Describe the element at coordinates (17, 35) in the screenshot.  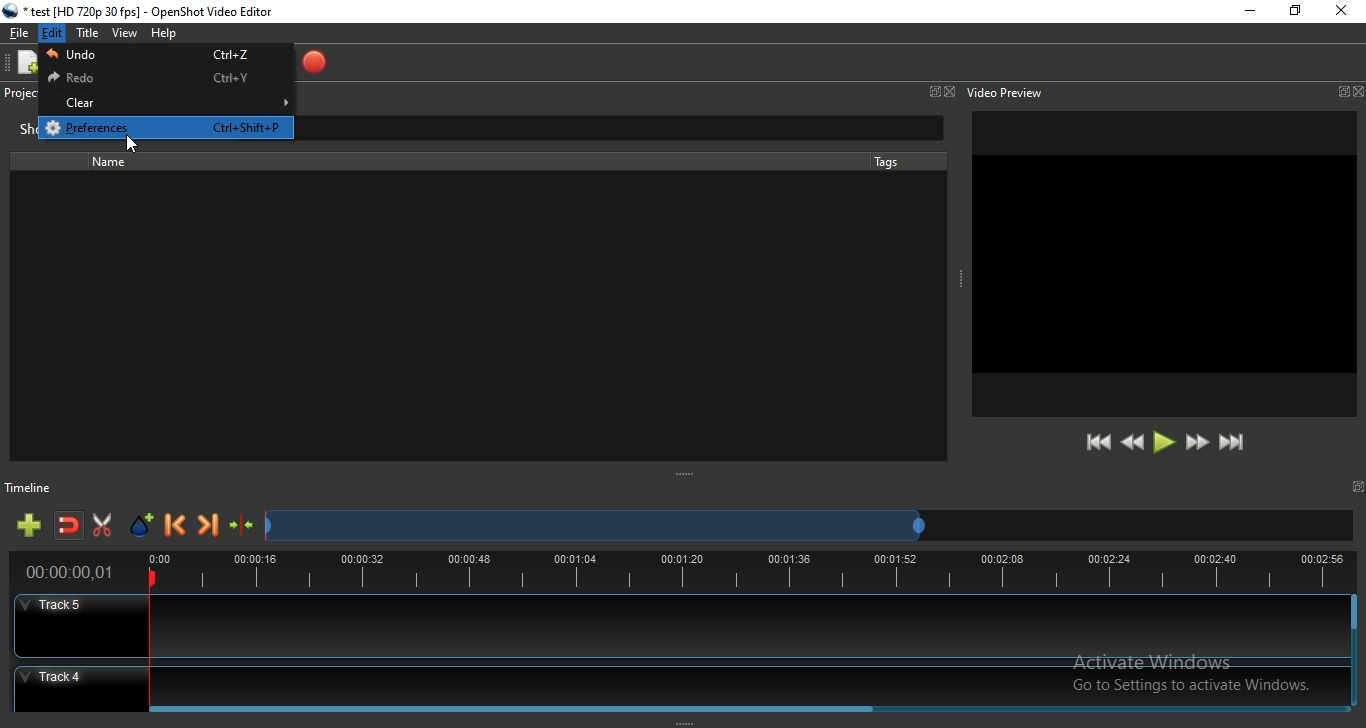
I see `File` at that location.